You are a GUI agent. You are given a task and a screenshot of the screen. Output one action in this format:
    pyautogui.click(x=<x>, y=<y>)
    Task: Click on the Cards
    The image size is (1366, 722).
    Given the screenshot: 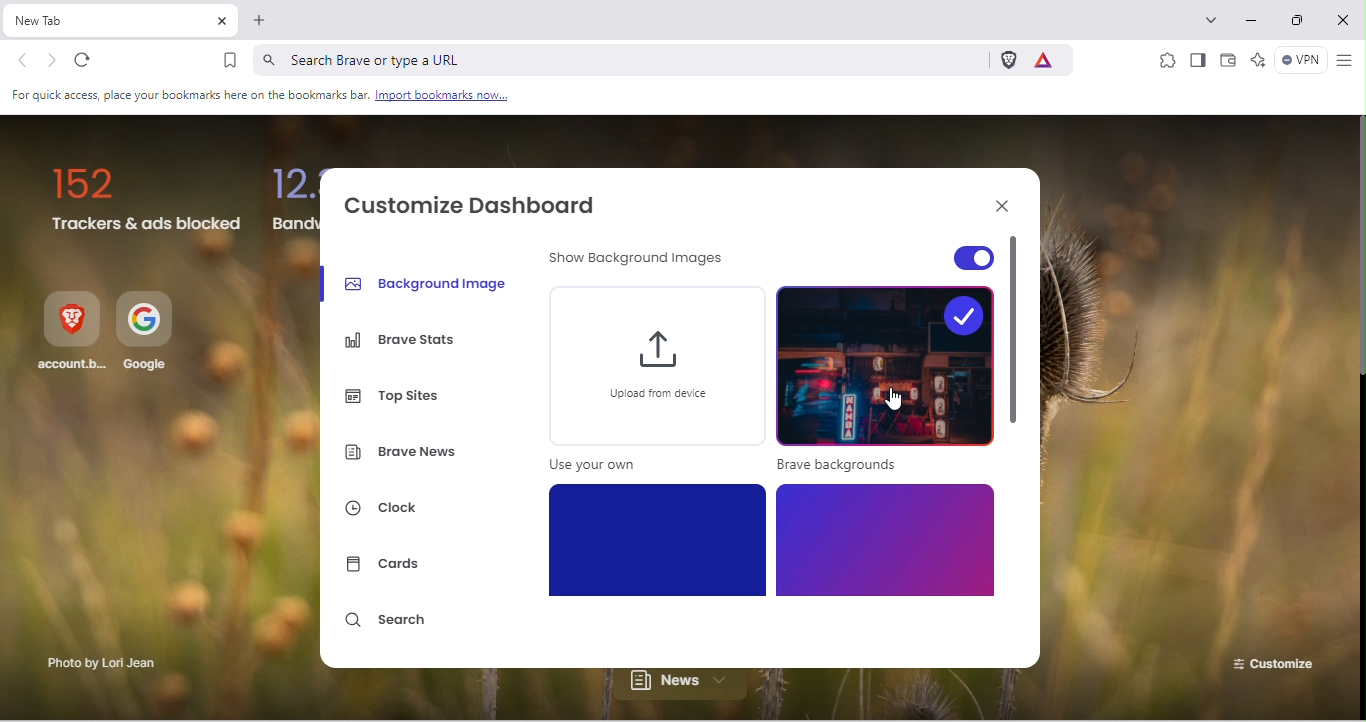 What is the action you would take?
    pyautogui.click(x=388, y=566)
    